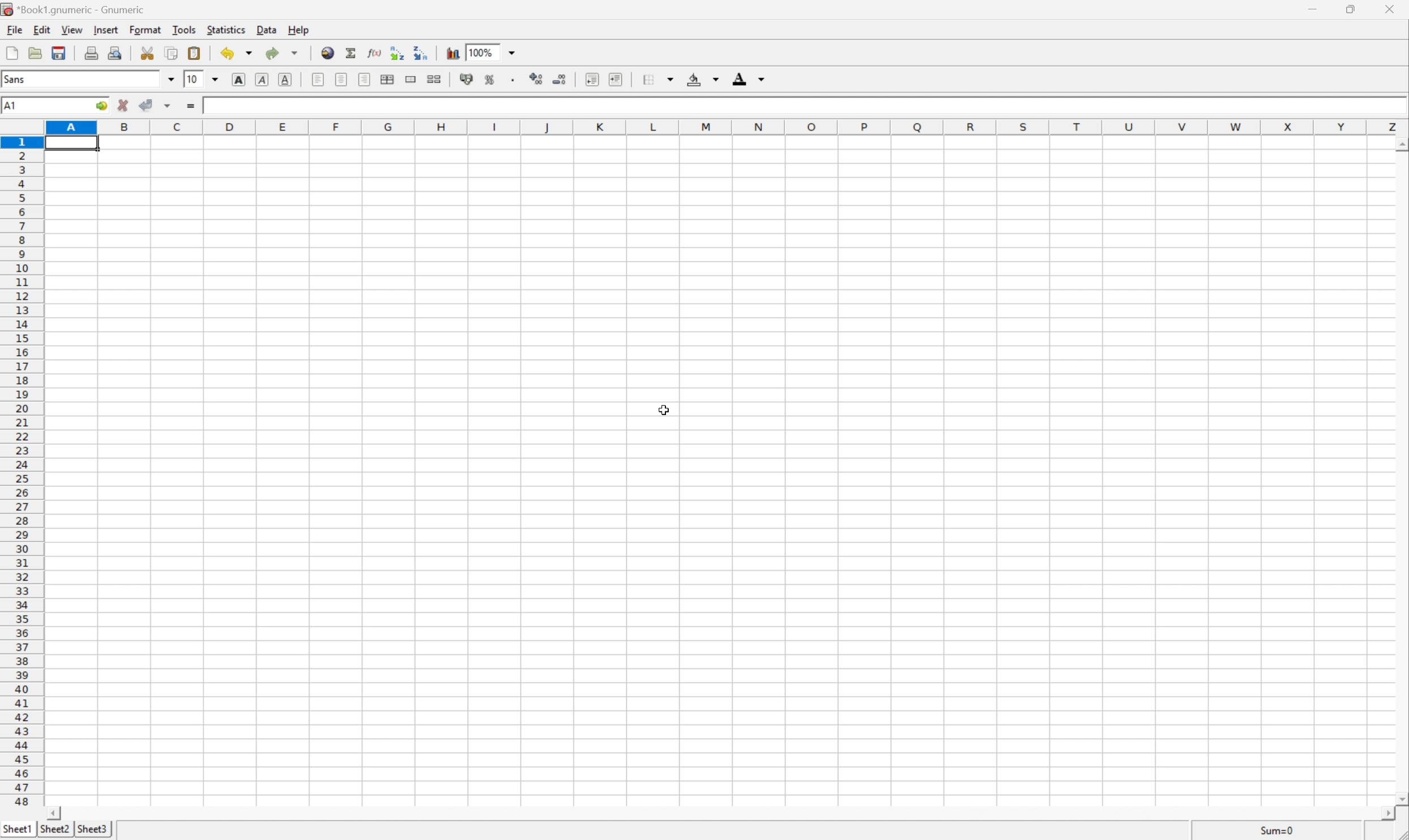  What do you see at coordinates (194, 80) in the screenshot?
I see `10` at bounding box center [194, 80].